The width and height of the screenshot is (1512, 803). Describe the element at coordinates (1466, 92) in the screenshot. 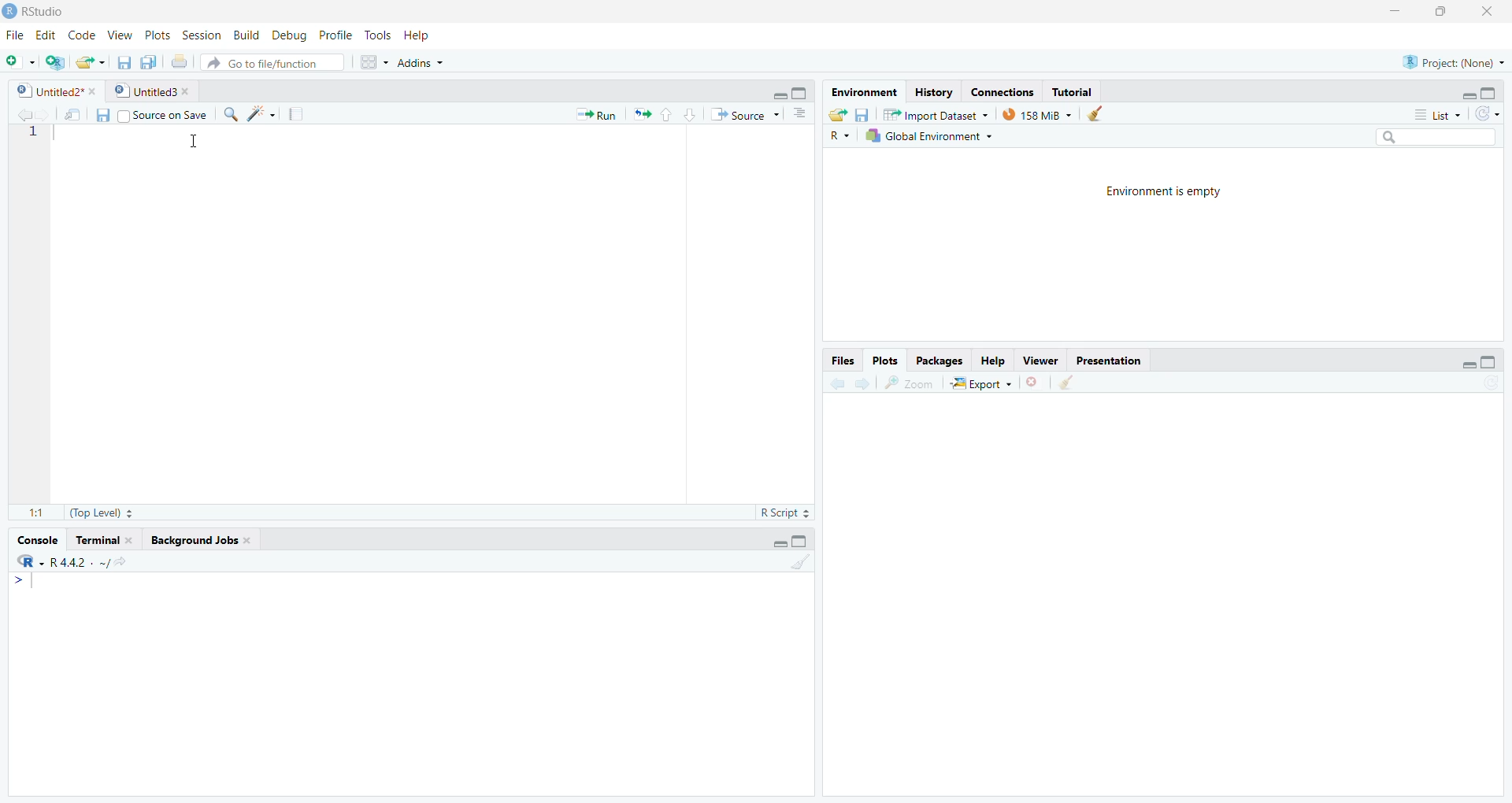

I see `Minimize/maximize` at that location.